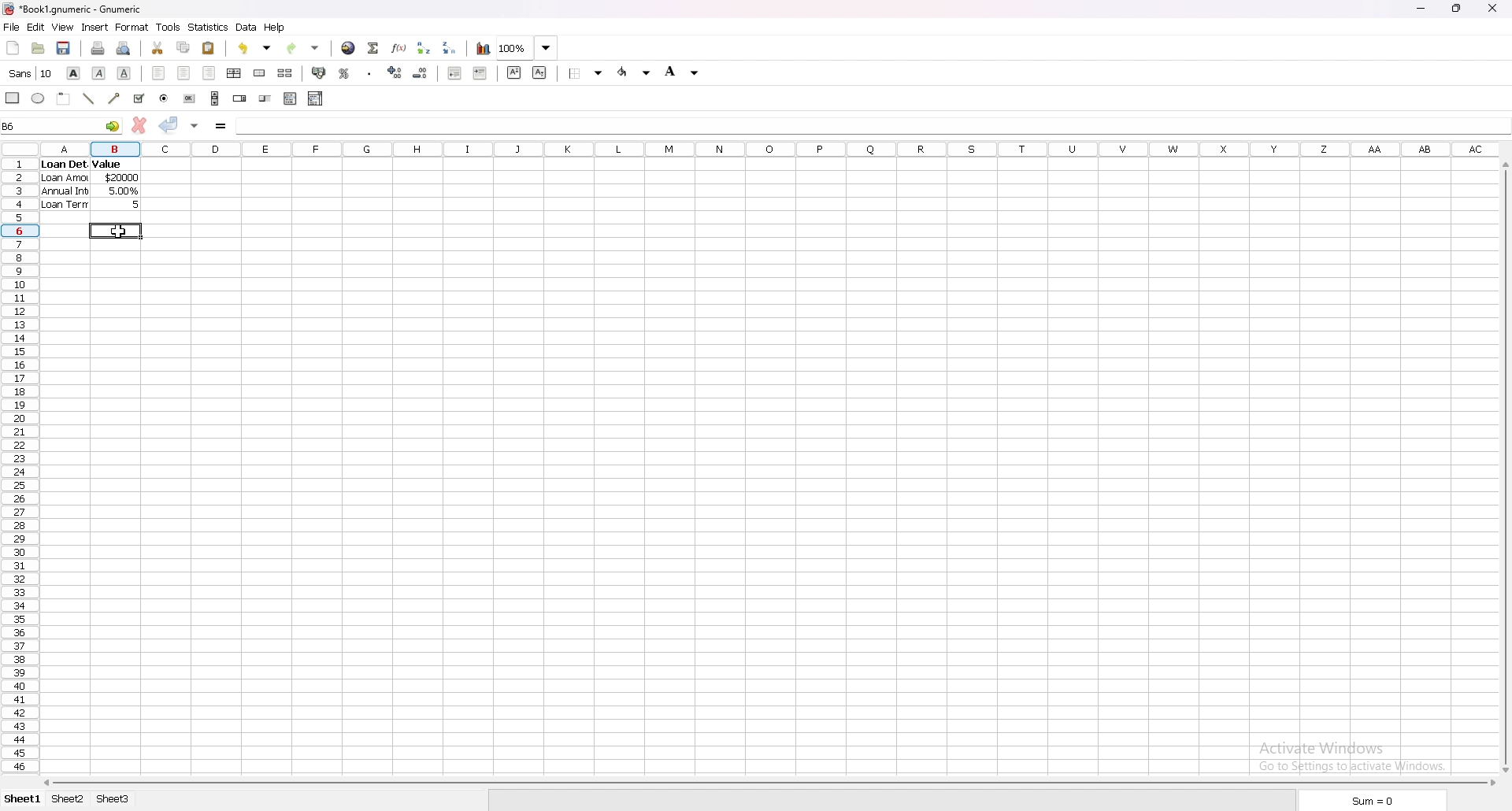 The height and width of the screenshot is (811, 1512). What do you see at coordinates (484, 49) in the screenshot?
I see `chart` at bounding box center [484, 49].